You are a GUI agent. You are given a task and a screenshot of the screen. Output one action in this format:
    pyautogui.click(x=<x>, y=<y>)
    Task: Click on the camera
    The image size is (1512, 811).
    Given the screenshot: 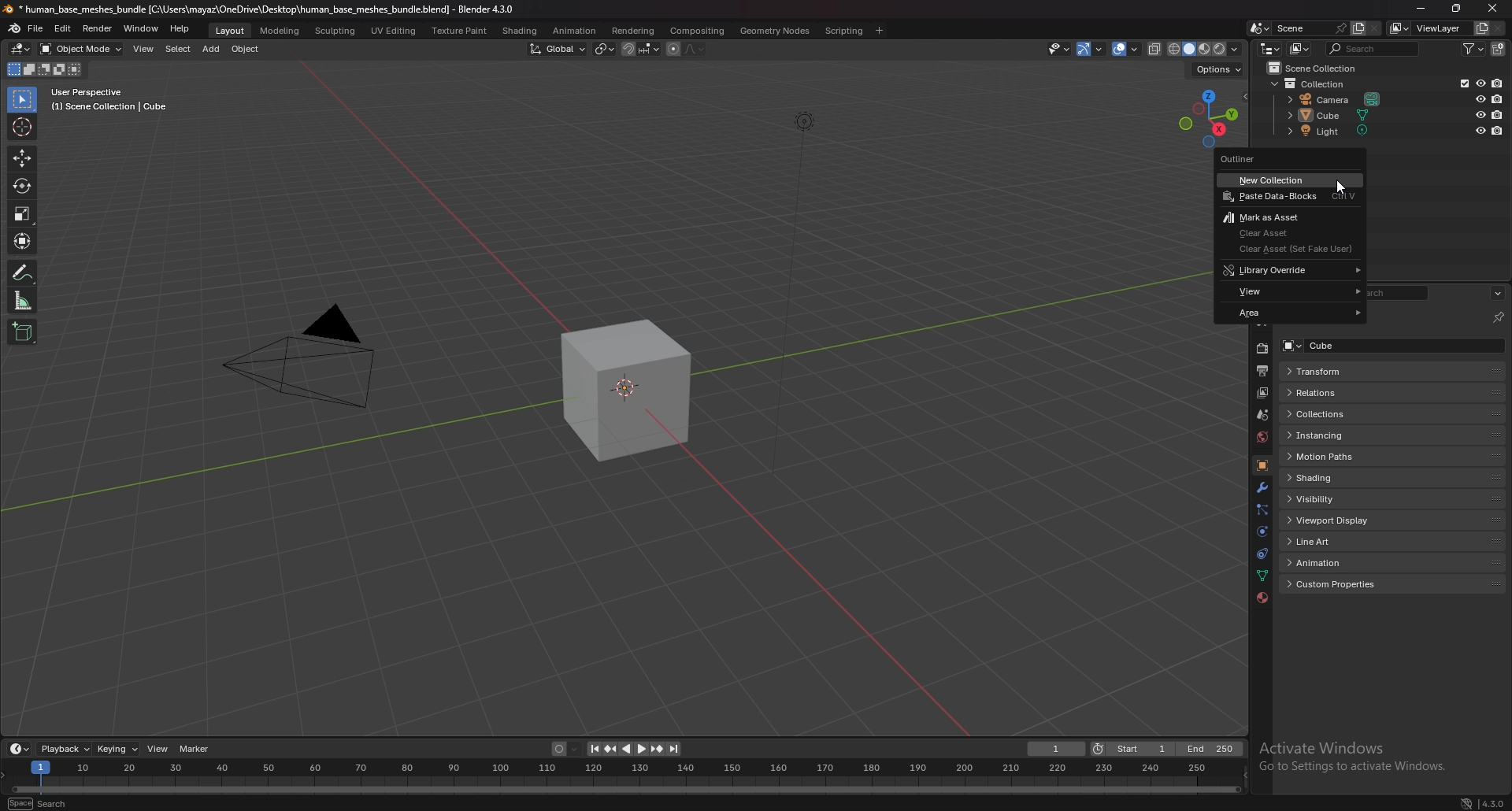 What is the action you would take?
    pyautogui.click(x=306, y=360)
    